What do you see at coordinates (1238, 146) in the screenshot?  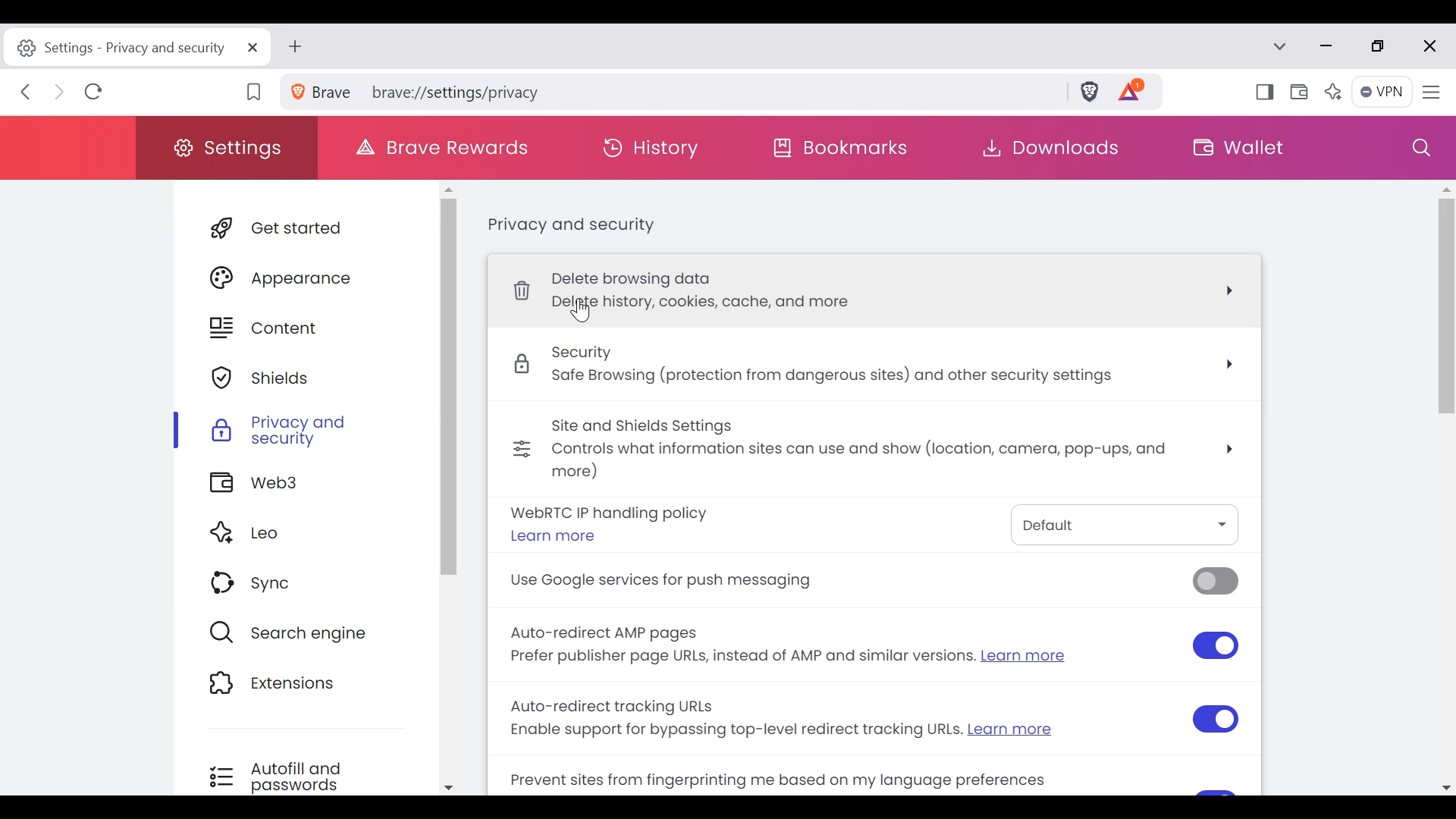 I see `Wallet` at bounding box center [1238, 146].